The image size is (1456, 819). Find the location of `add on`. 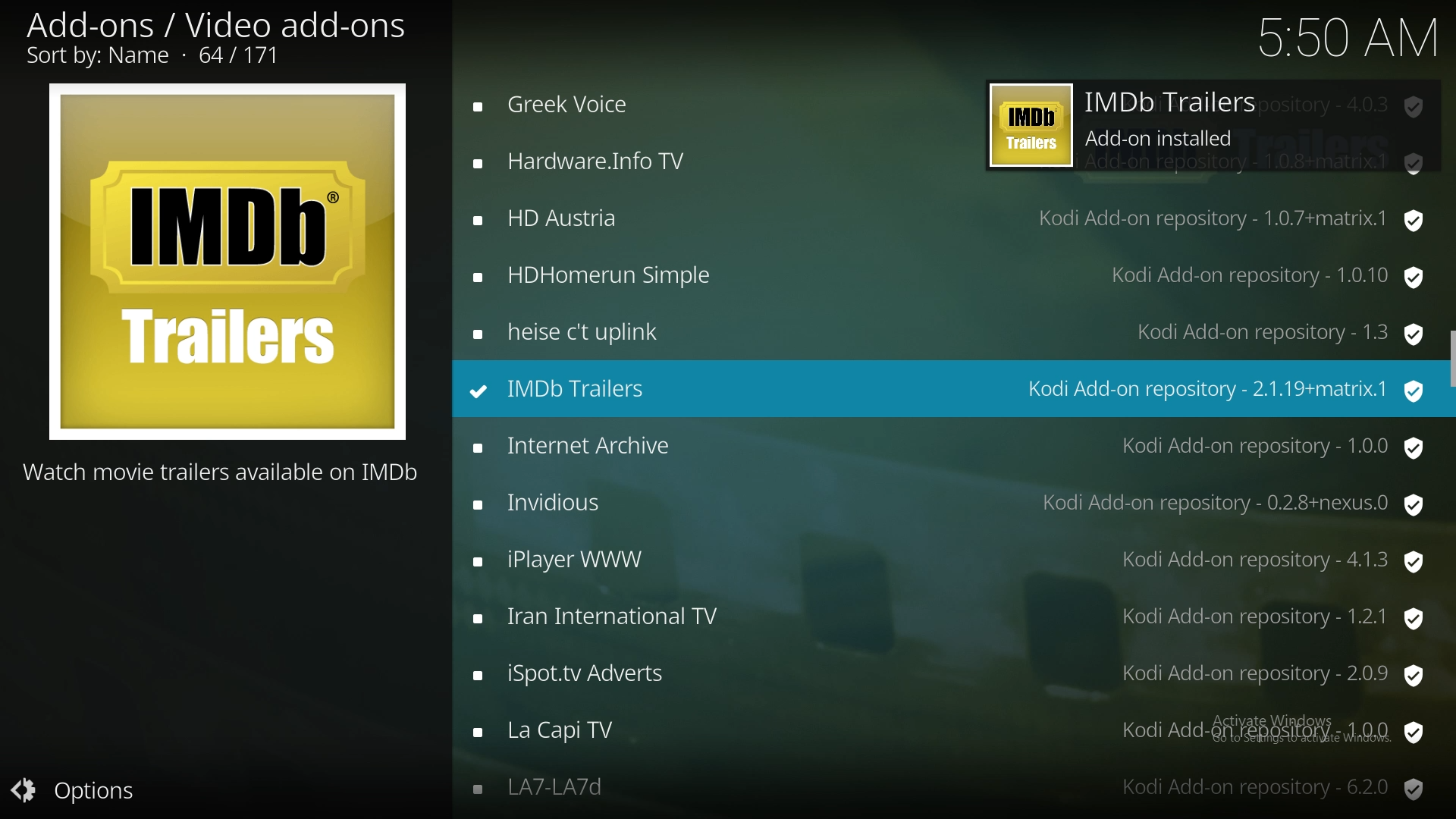

add on is located at coordinates (949, 674).